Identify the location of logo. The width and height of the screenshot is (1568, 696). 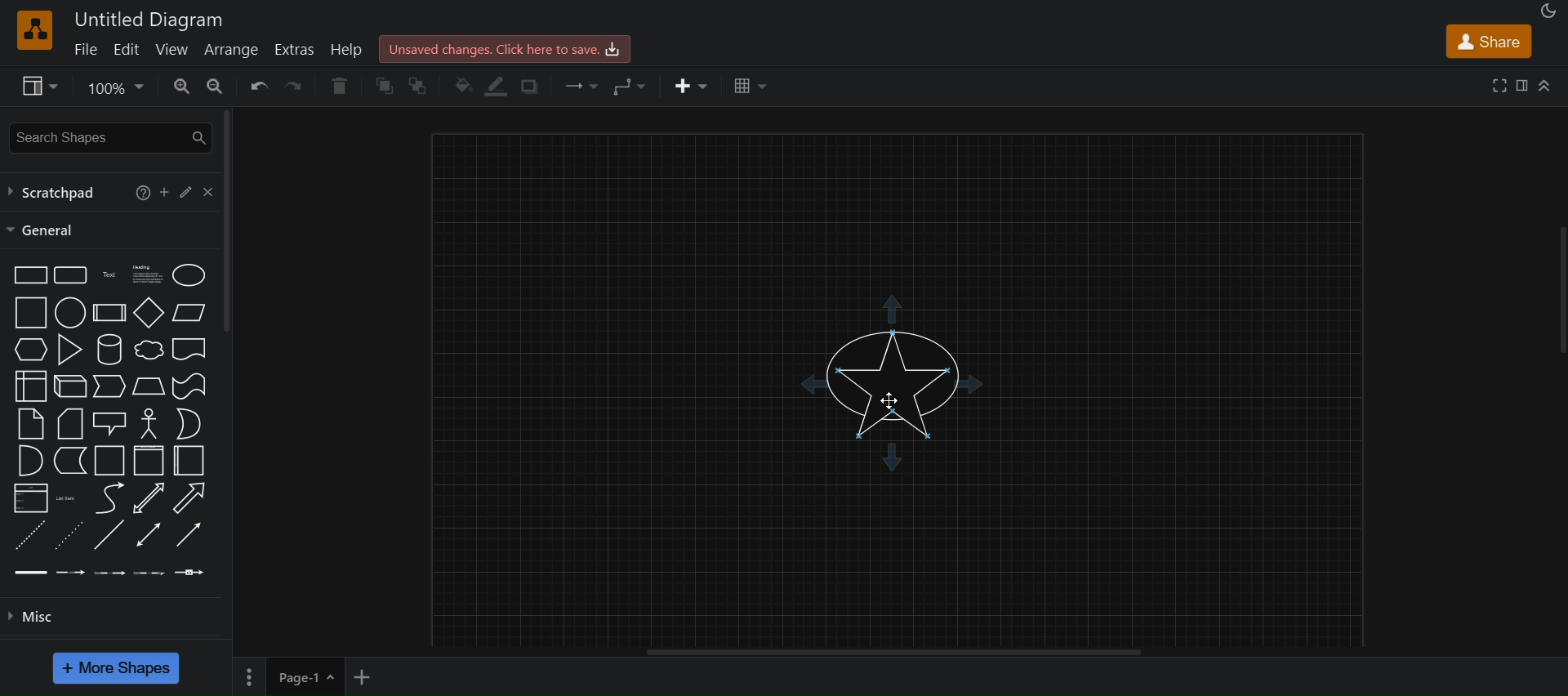
(34, 30).